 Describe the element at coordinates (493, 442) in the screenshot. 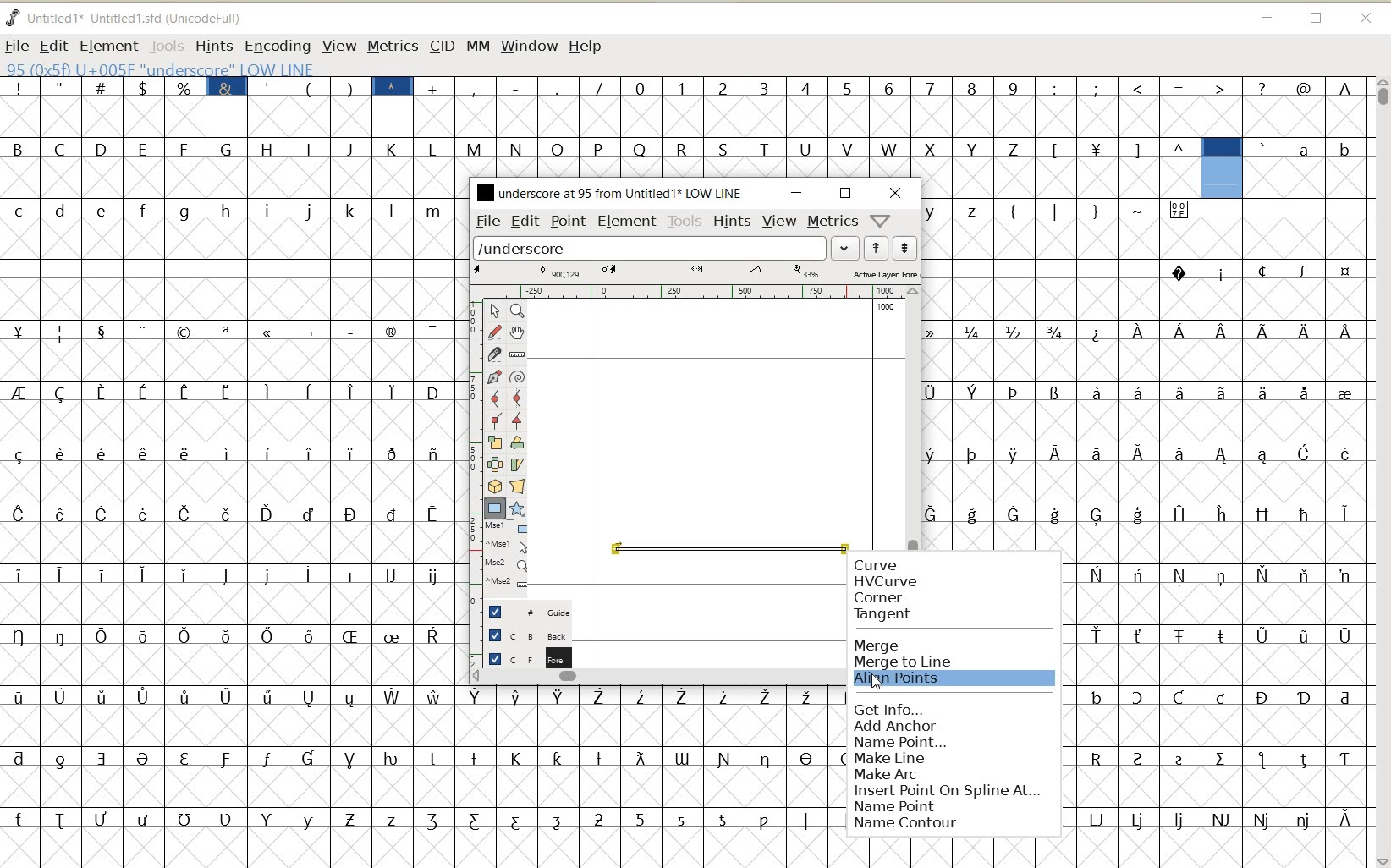

I see `scale the selection` at that location.